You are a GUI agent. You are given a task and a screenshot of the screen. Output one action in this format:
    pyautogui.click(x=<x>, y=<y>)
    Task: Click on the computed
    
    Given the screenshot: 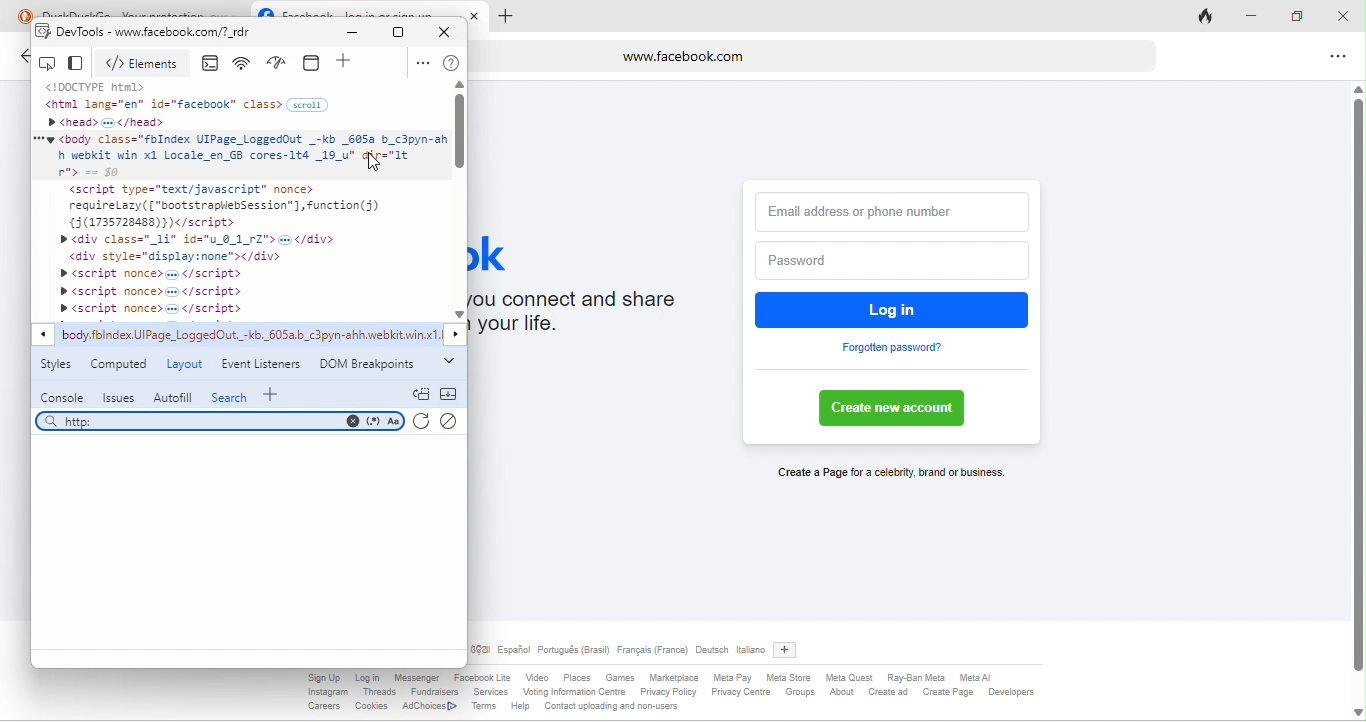 What is the action you would take?
    pyautogui.click(x=121, y=366)
    